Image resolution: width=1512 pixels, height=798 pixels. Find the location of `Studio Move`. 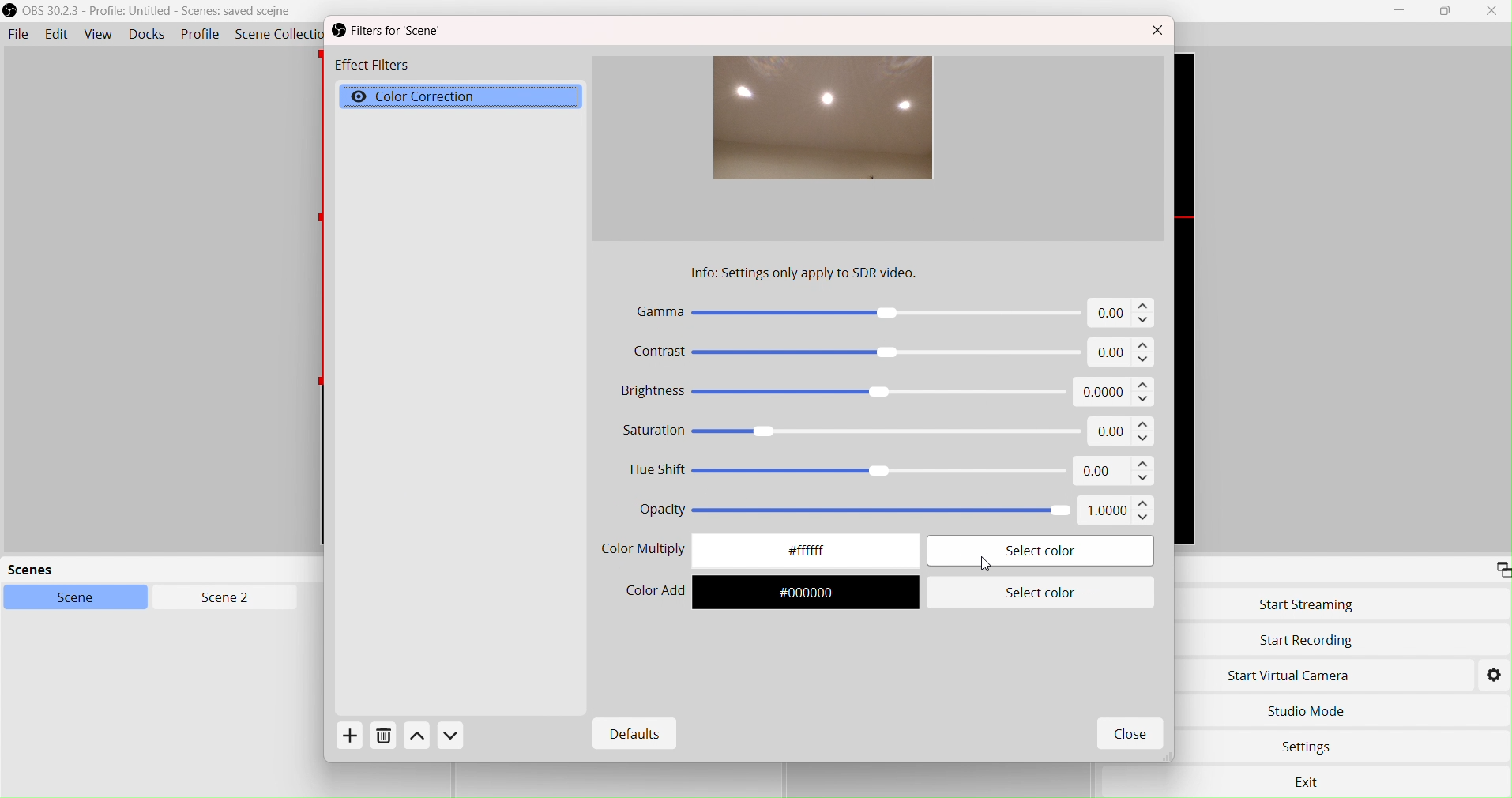

Studio Move is located at coordinates (1307, 708).